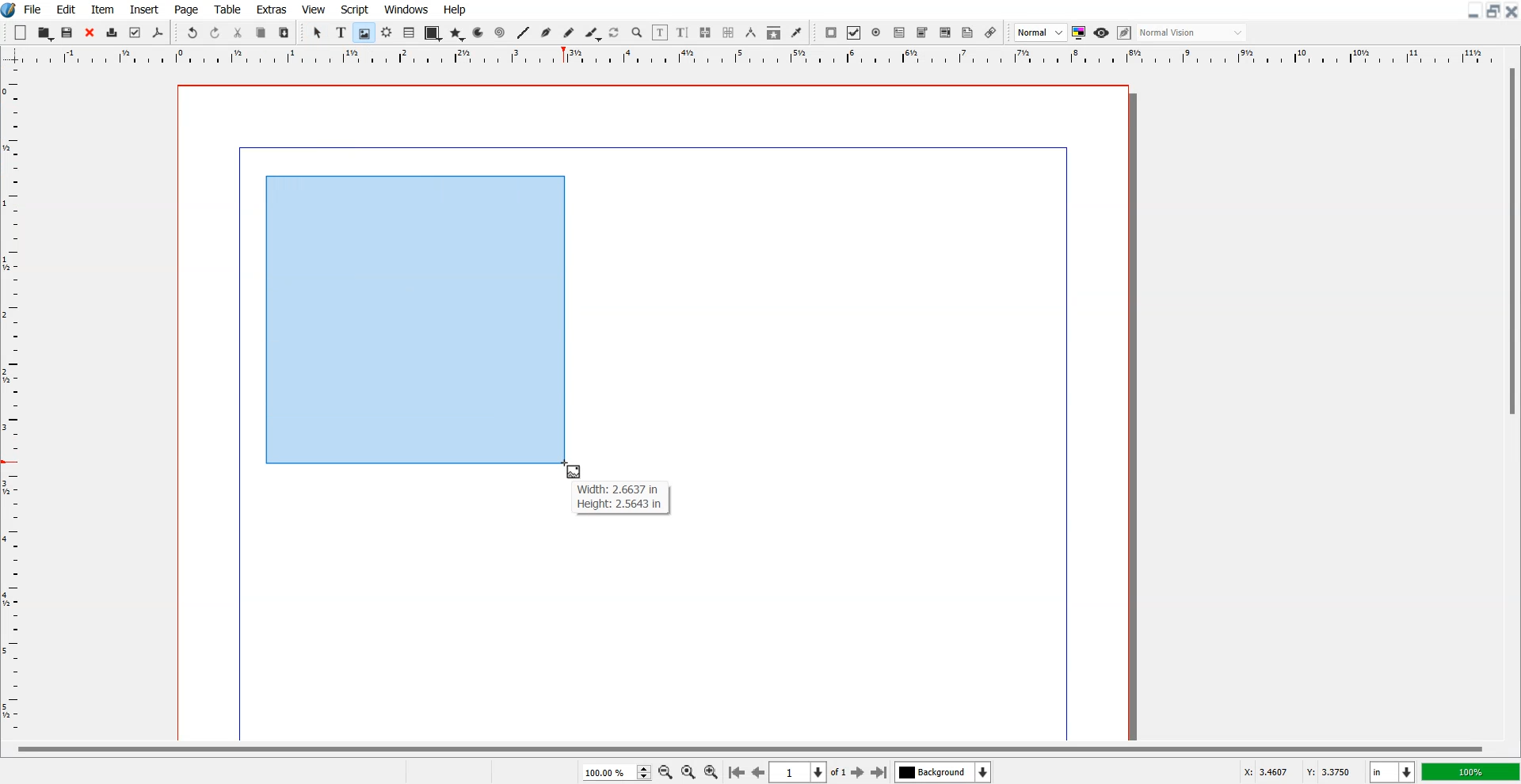 The width and height of the screenshot is (1521, 784). I want to click on 100%, so click(1470, 771).